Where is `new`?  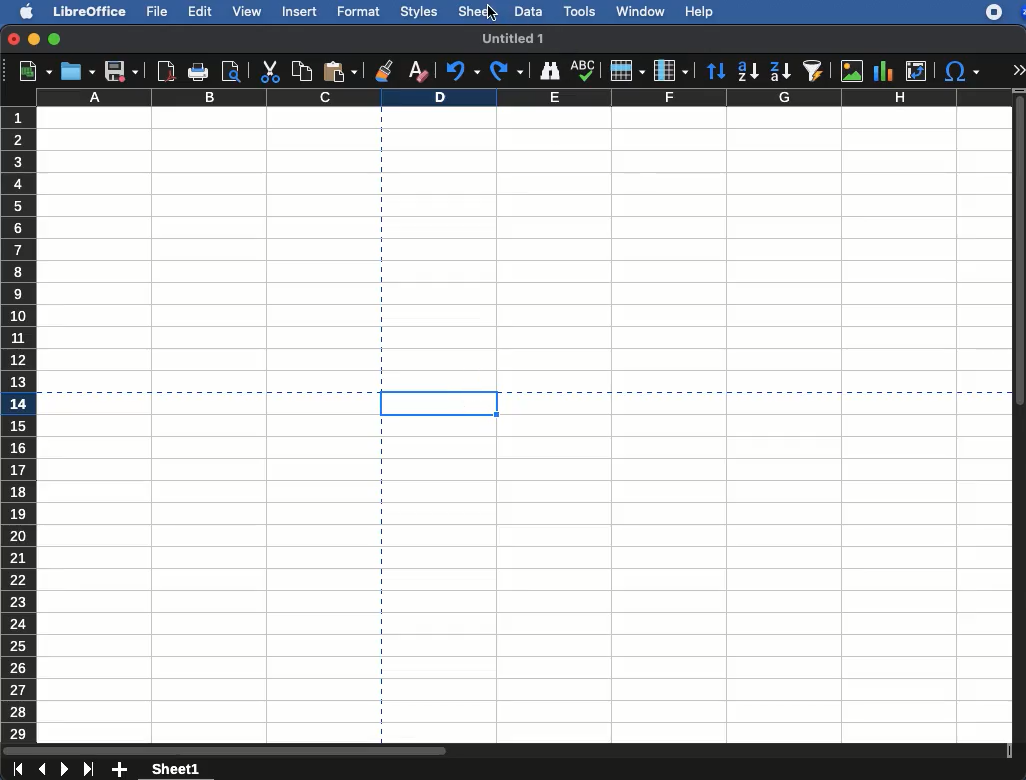 new is located at coordinates (29, 73).